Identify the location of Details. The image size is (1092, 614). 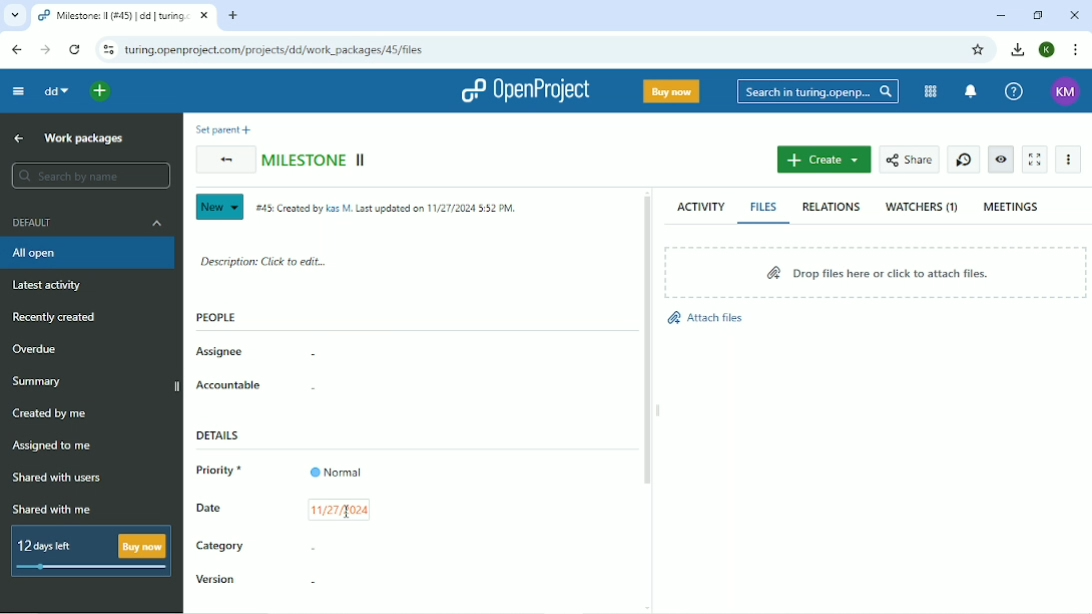
(223, 436).